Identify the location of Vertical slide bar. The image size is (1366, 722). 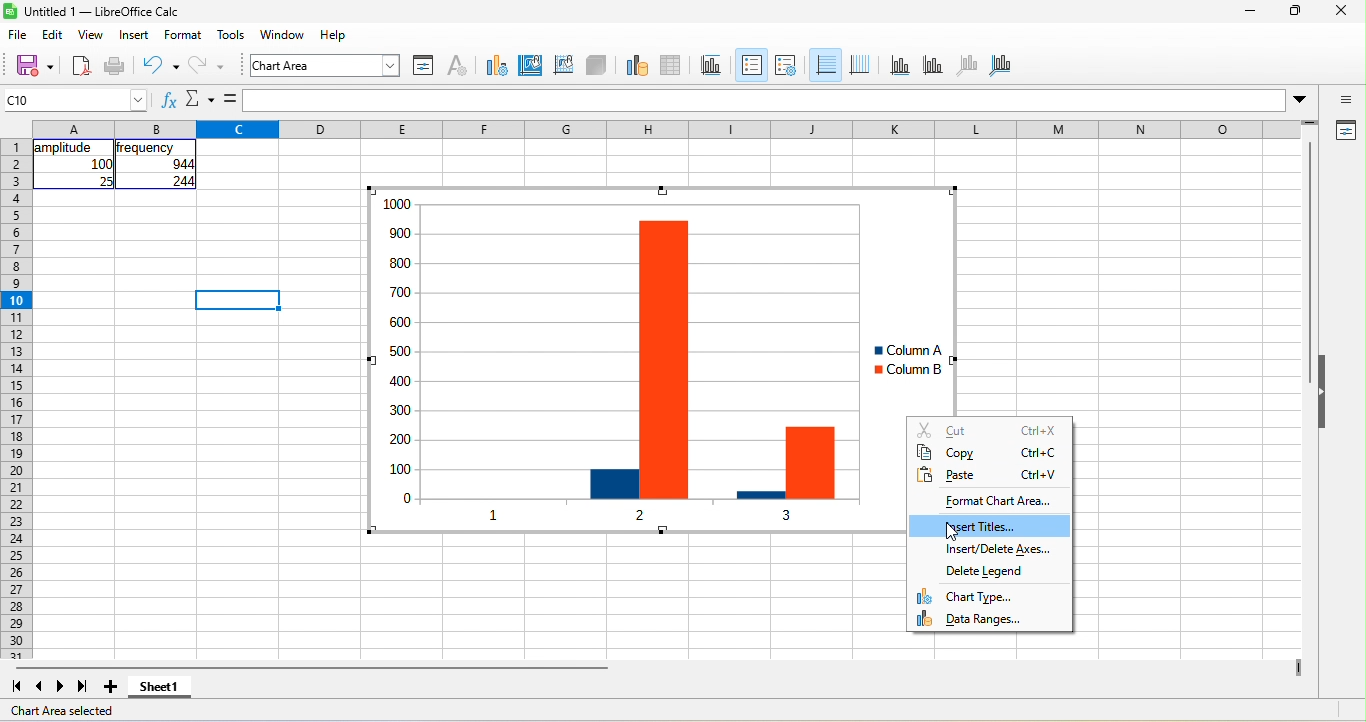
(1309, 262).